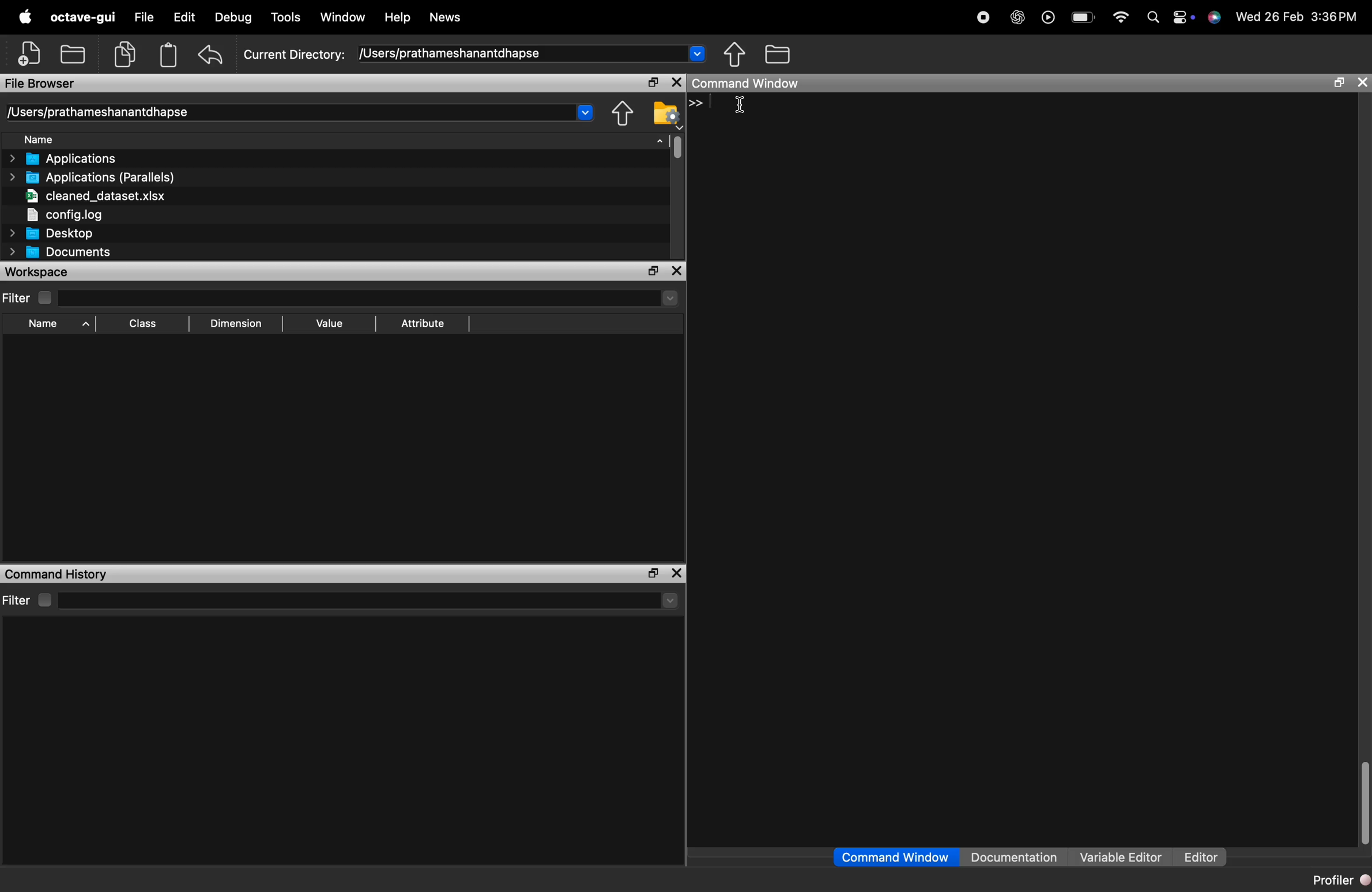 Image resolution: width=1372 pixels, height=892 pixels. Describe the element at coordinates (1086, 17) in the screenshot. I see `battery` at that location.